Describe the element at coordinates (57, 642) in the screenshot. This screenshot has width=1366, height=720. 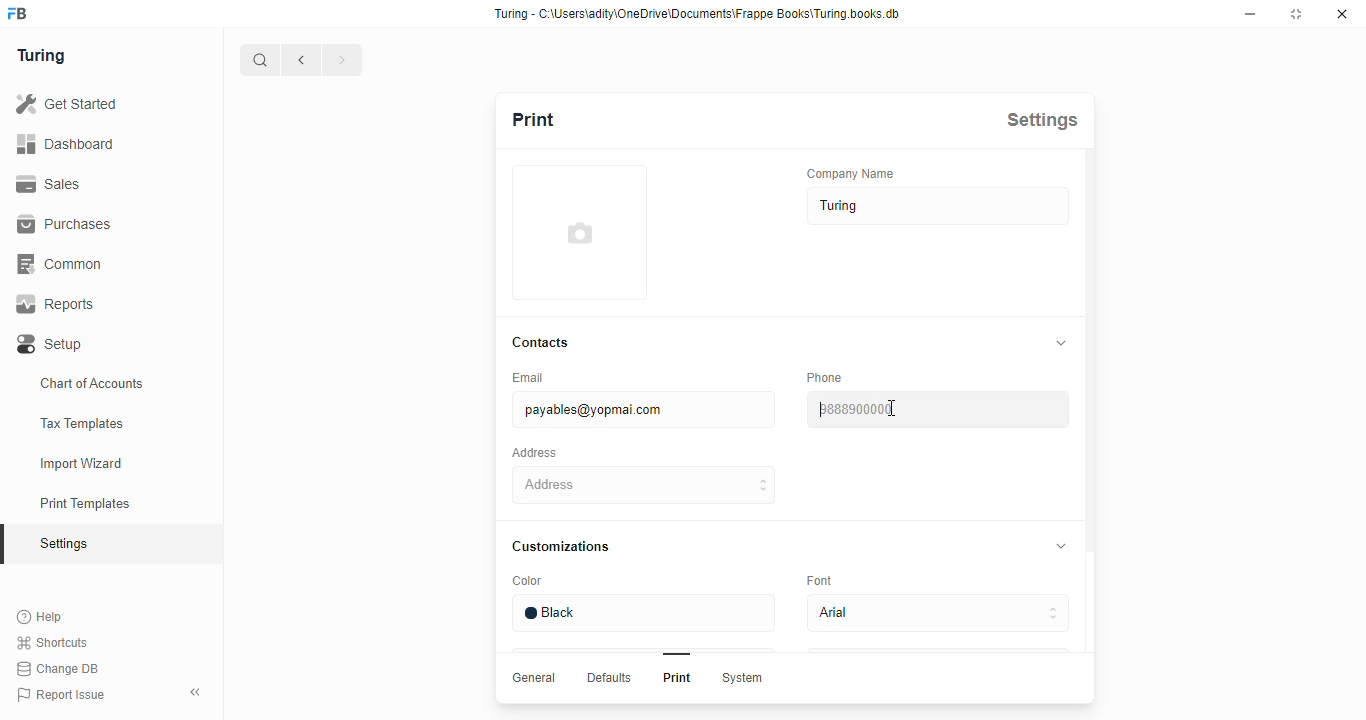
I see `Shortcuts` at that location.